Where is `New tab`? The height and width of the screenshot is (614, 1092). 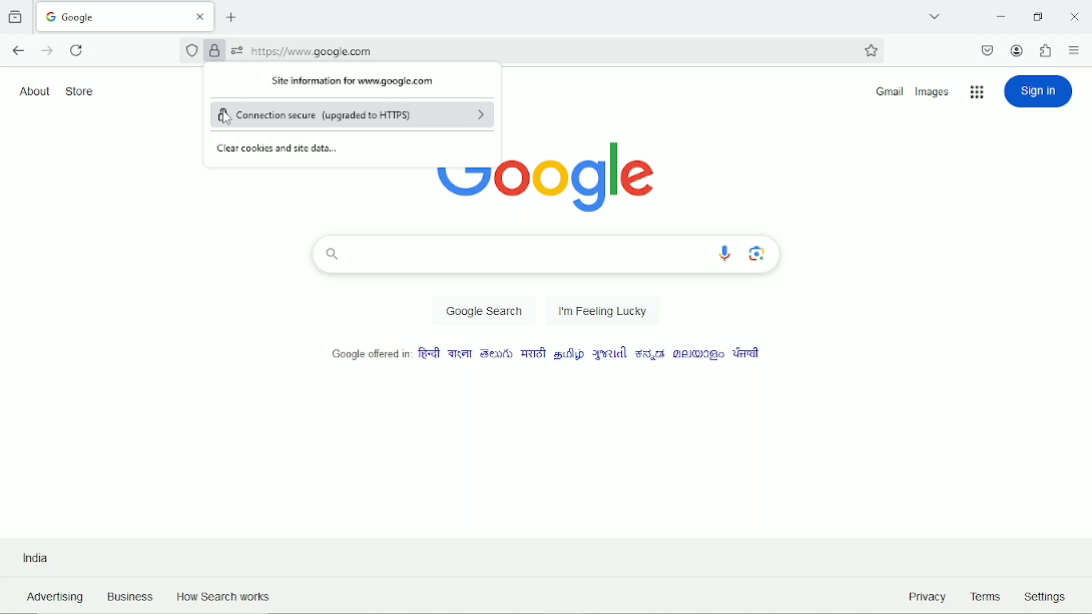
New tab is located at coordinates (231, 19).